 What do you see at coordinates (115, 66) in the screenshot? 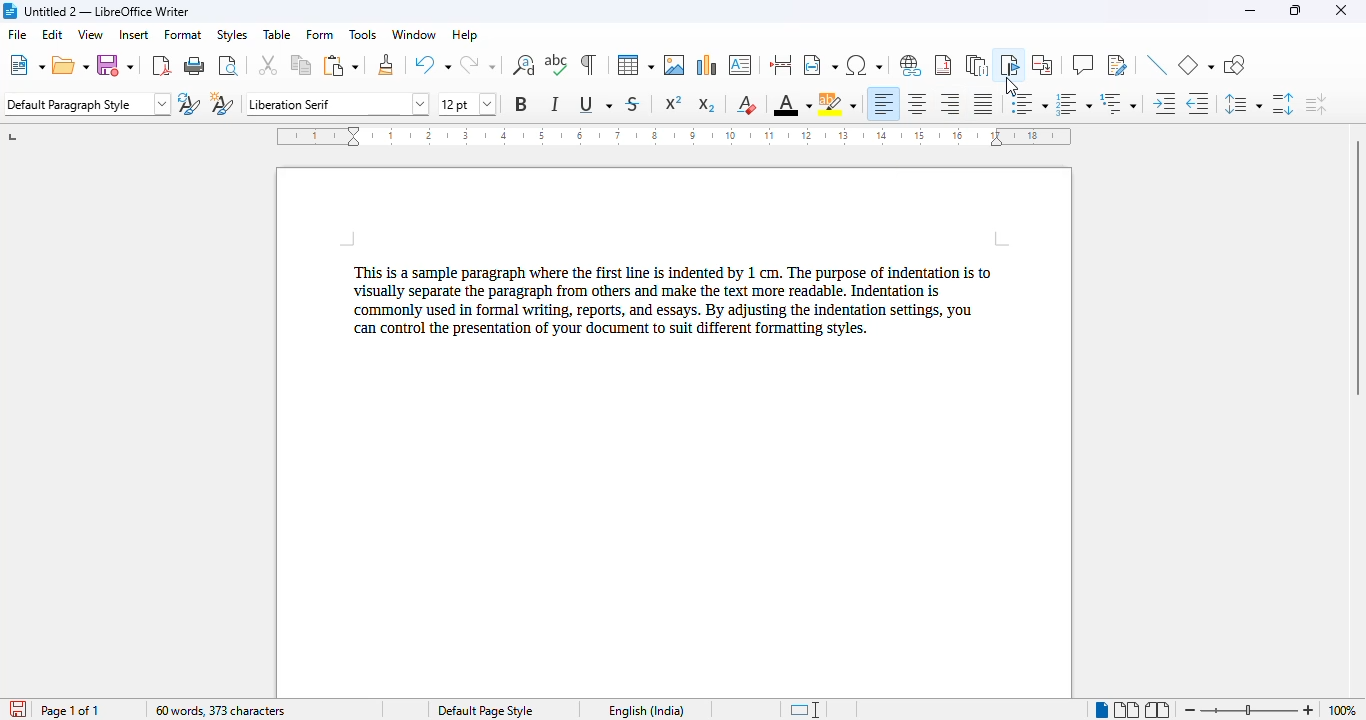
I see `save` at bounding box center [115, 66].